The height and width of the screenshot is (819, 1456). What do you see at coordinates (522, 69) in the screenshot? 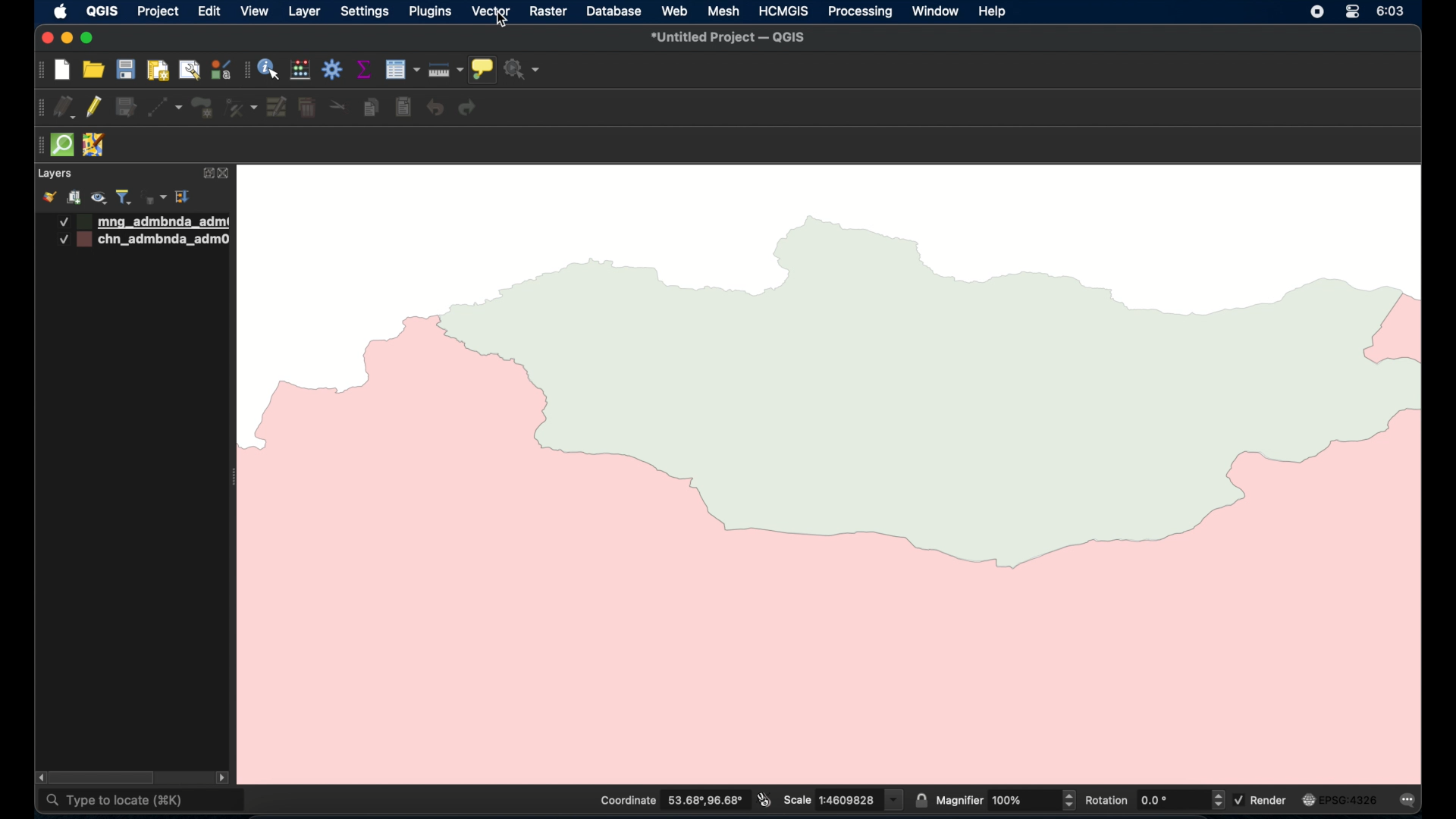
I see `no action selected` at bounding box center [522, 69].